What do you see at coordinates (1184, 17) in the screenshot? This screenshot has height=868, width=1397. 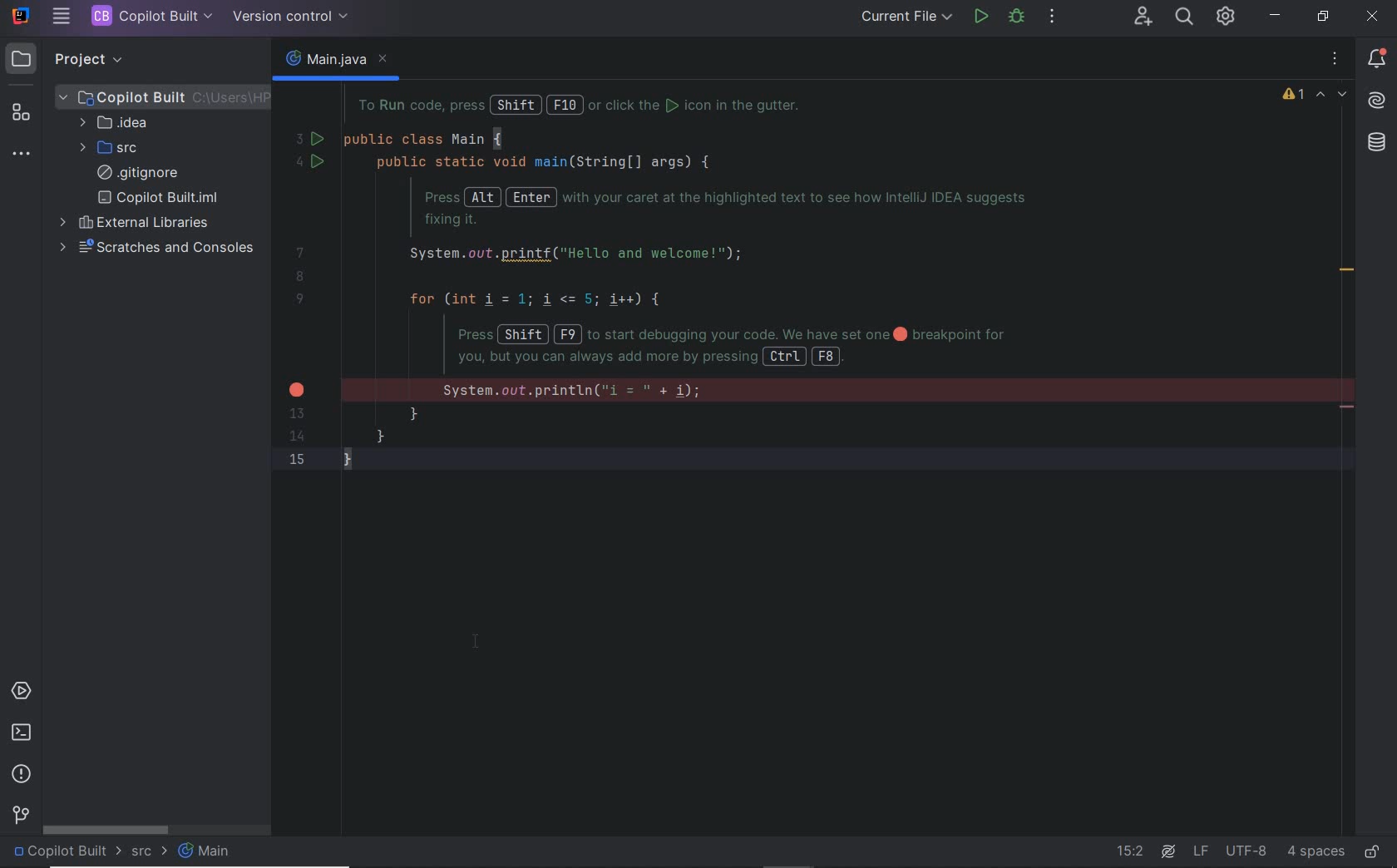 I see `SEARCH EVERYWHERE` at bounding box center [1184, 17].